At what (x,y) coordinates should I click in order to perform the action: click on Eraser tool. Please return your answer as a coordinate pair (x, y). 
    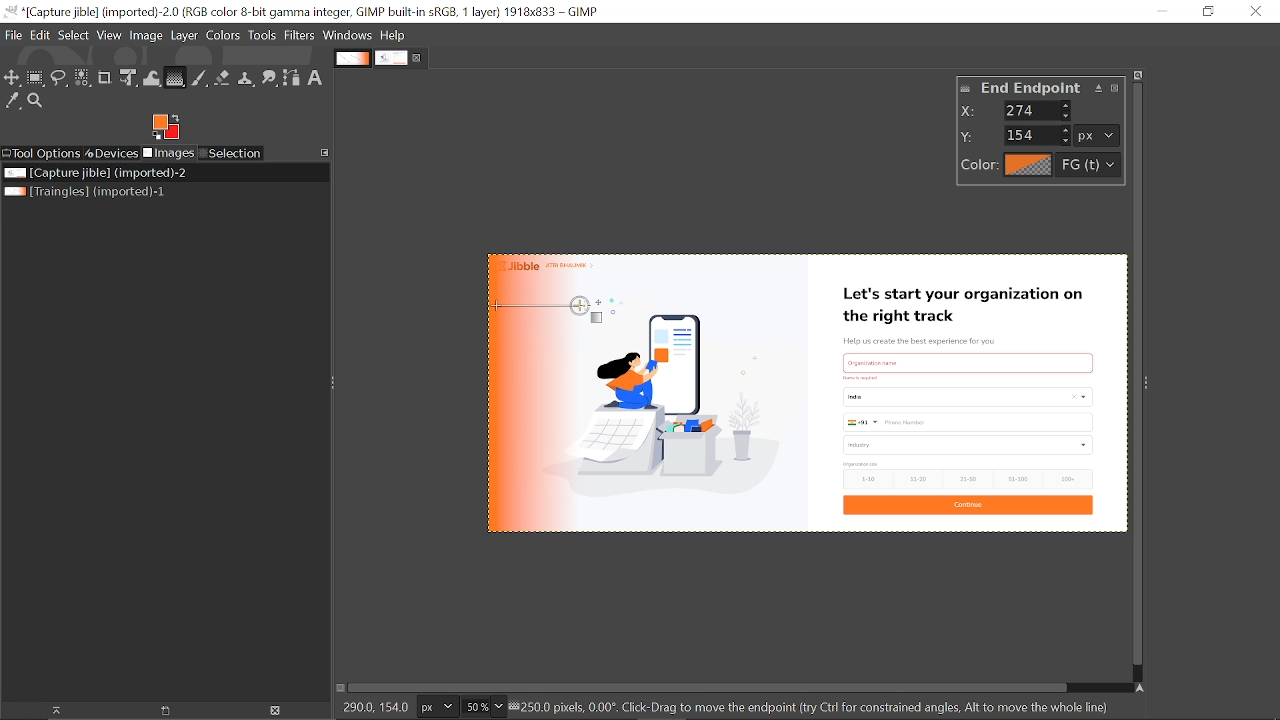
    Looking at the image, I should click on (222, 78).